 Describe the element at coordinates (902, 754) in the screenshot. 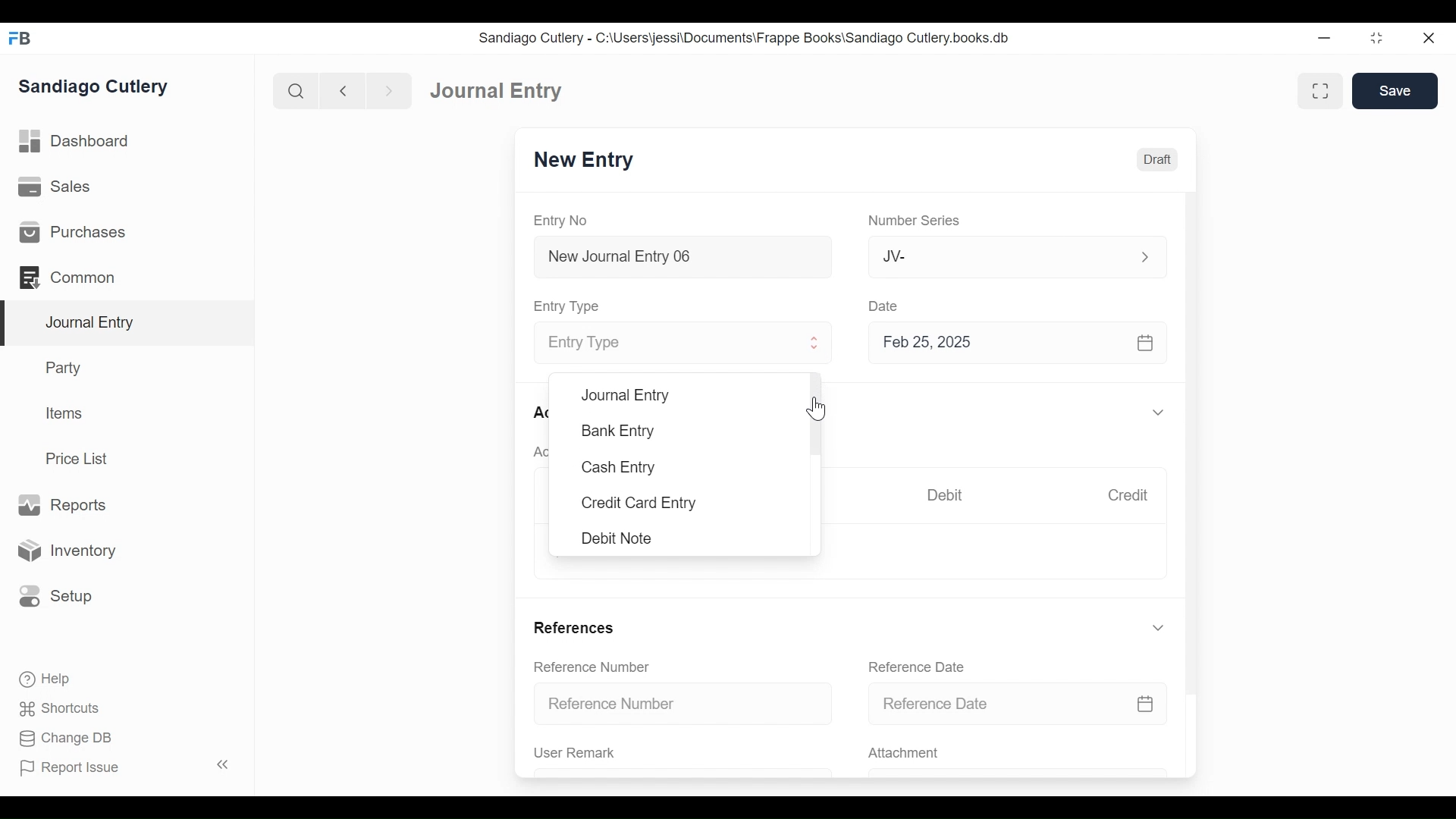

I see `Attachment` at that location.